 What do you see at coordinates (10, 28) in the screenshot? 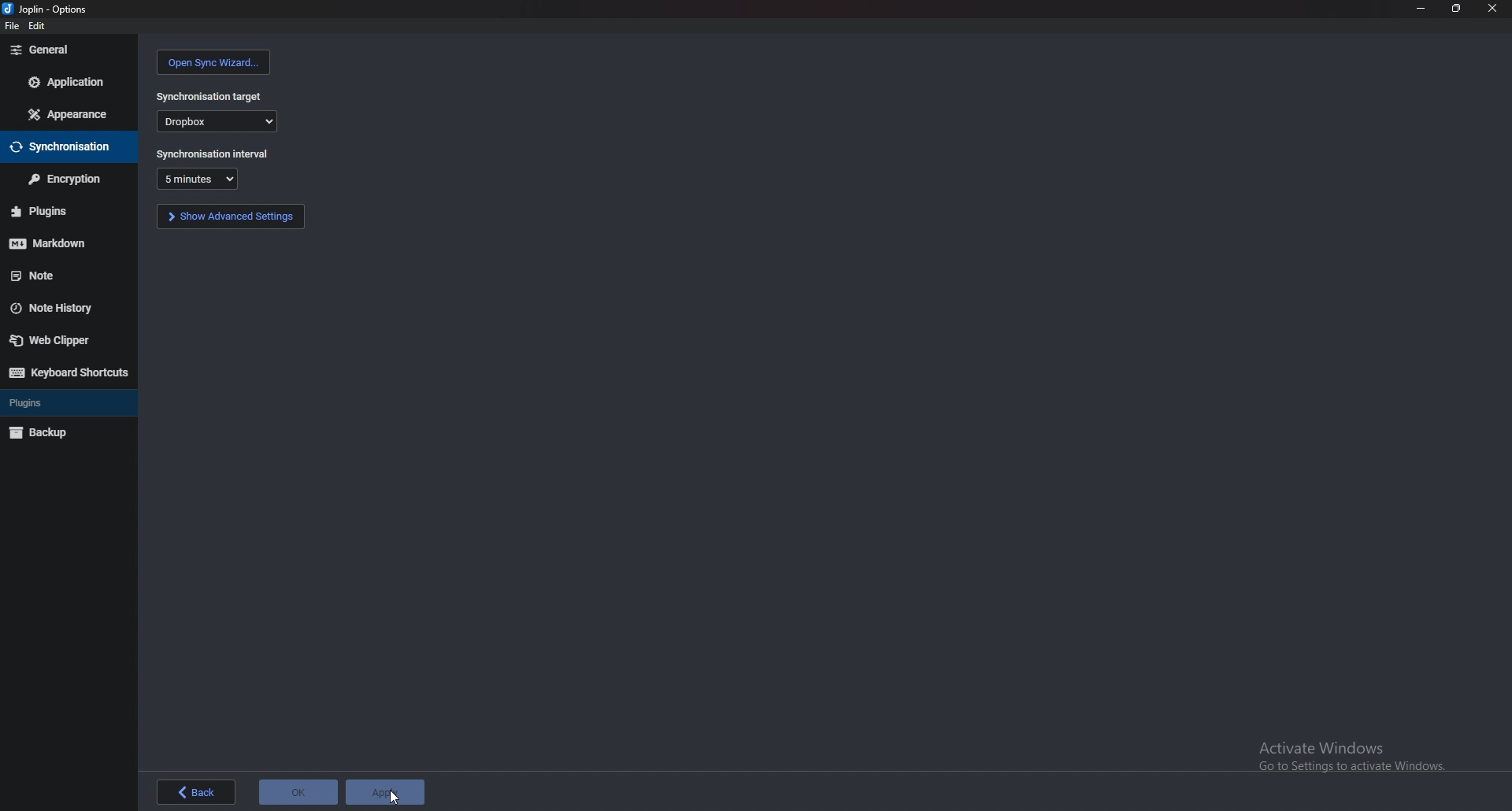
I see `file` at bounding box center [10, 28].